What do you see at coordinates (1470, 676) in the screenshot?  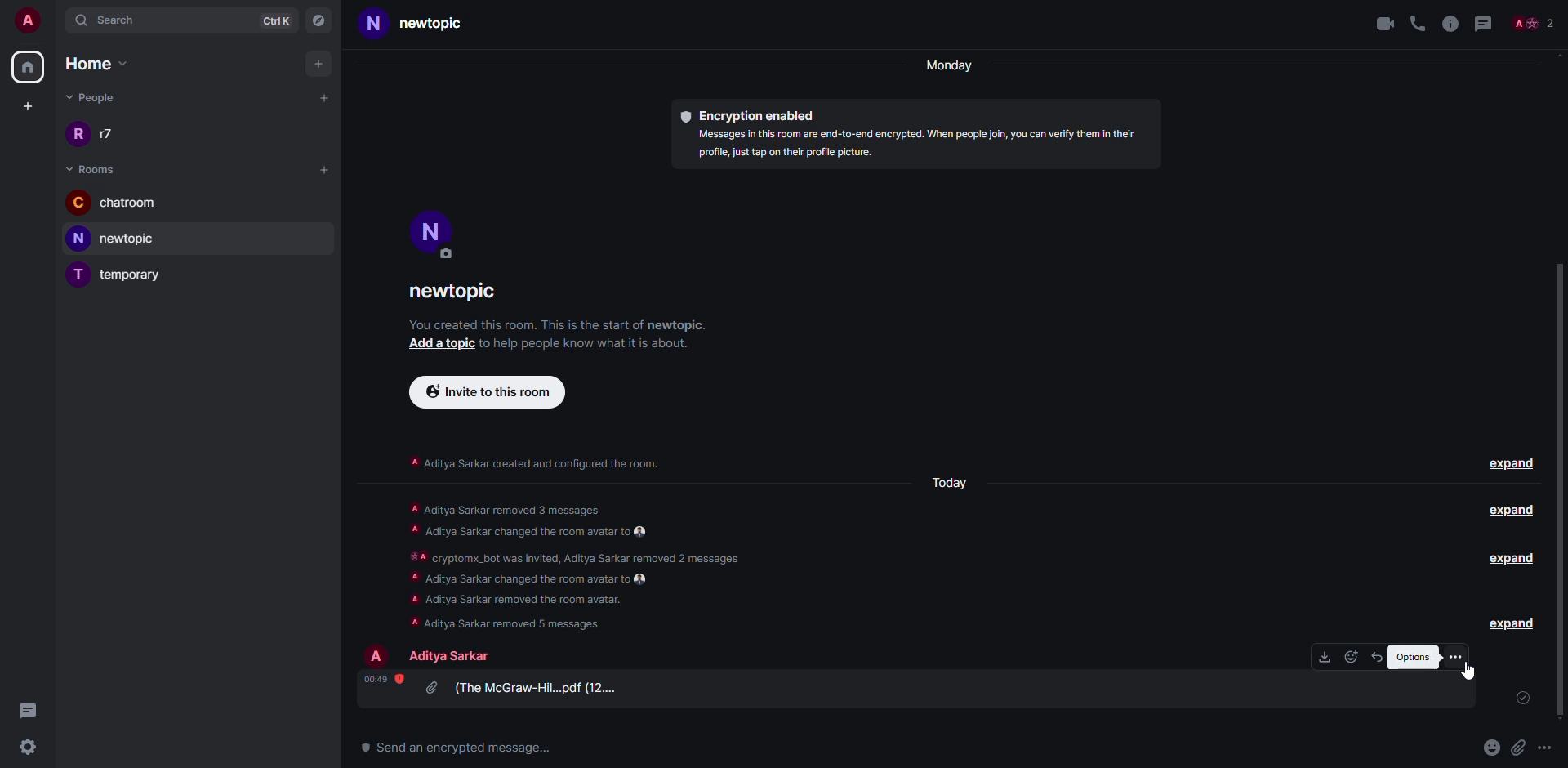 I see `cursor` at bounding box center [1470, 676].